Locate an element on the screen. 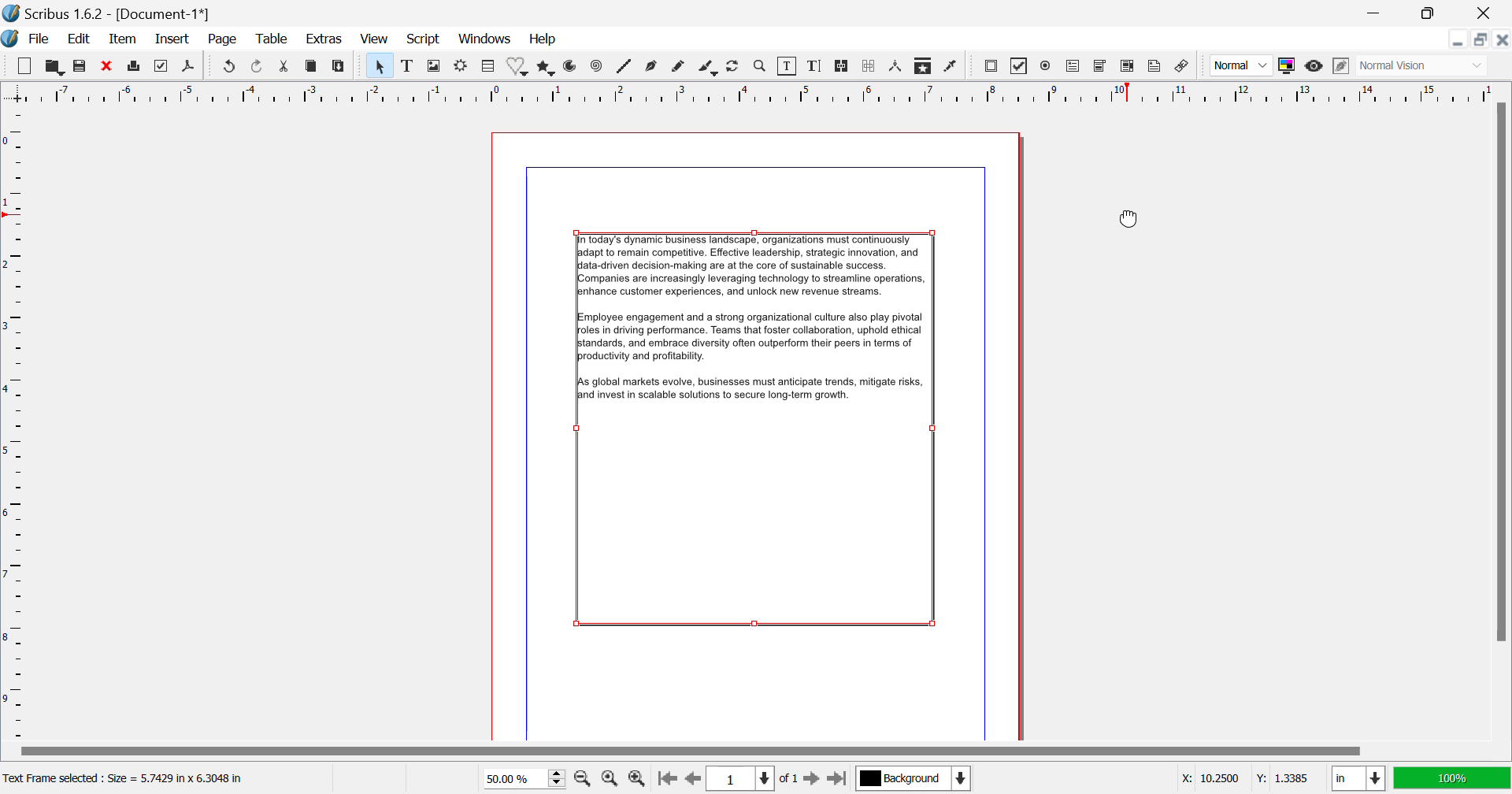 The height and width of the screenshot is (794, 1512). Select is located at coordinates (381, 65).